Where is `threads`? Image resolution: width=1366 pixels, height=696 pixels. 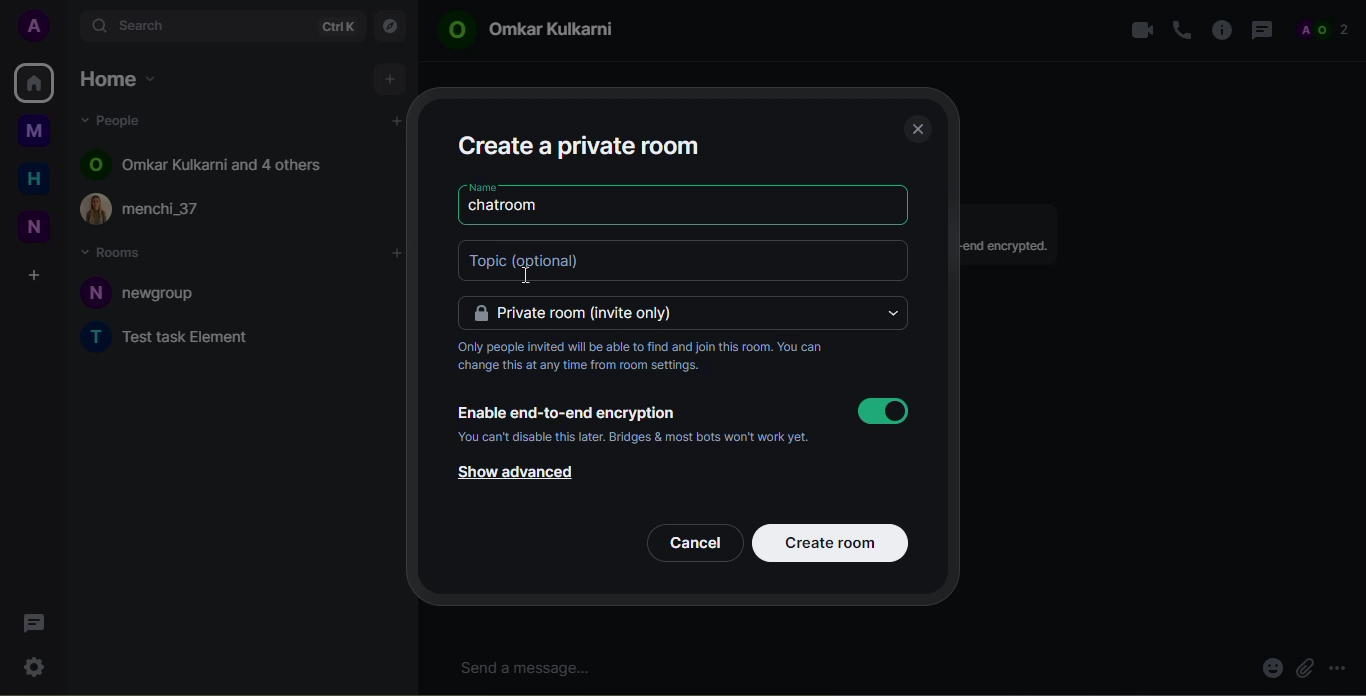 threads is located at coordinates (33, 623).